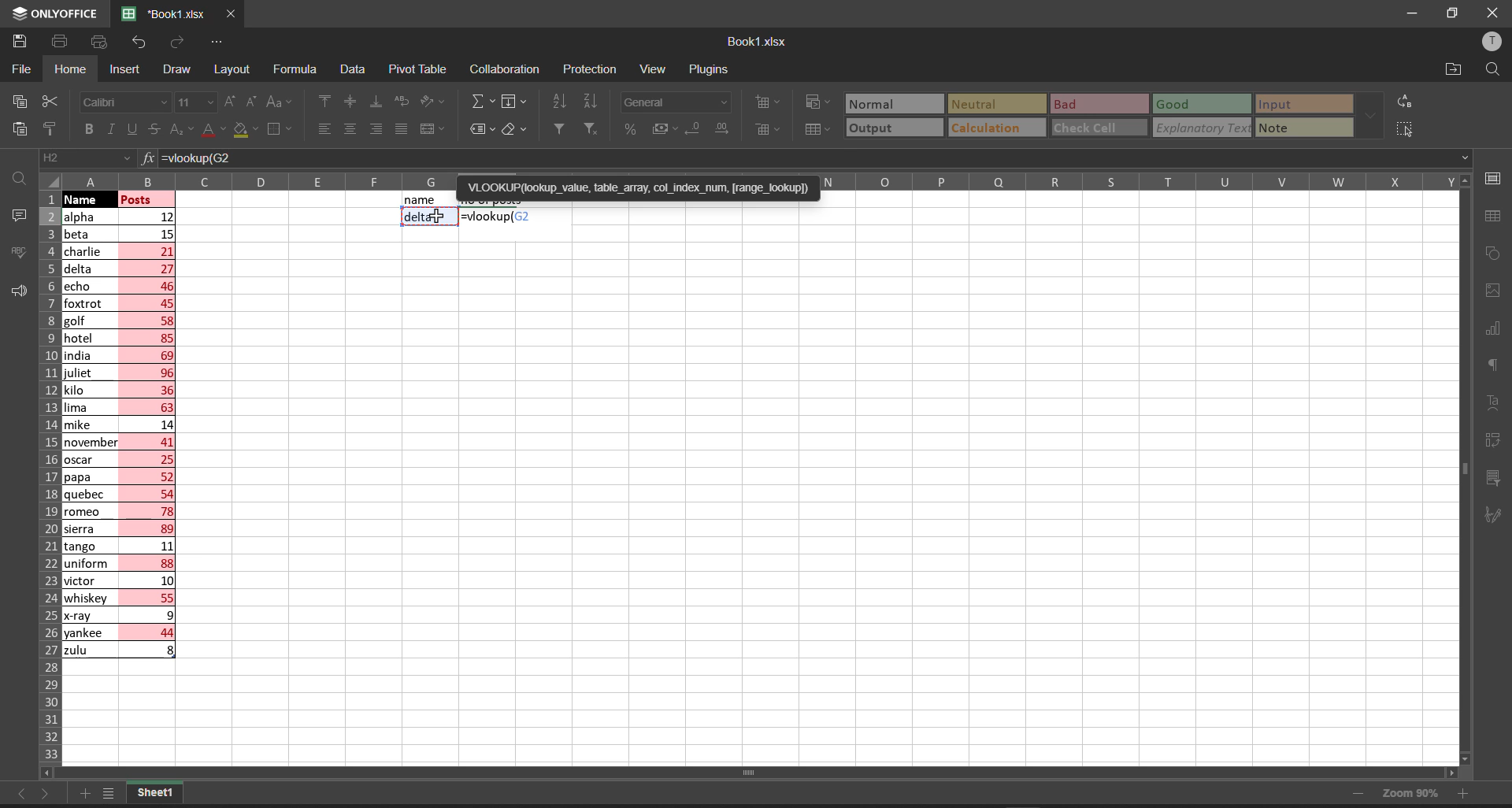 This screenshot has width=1512, height=808. I want to click on maximize, so click(1455, 14).